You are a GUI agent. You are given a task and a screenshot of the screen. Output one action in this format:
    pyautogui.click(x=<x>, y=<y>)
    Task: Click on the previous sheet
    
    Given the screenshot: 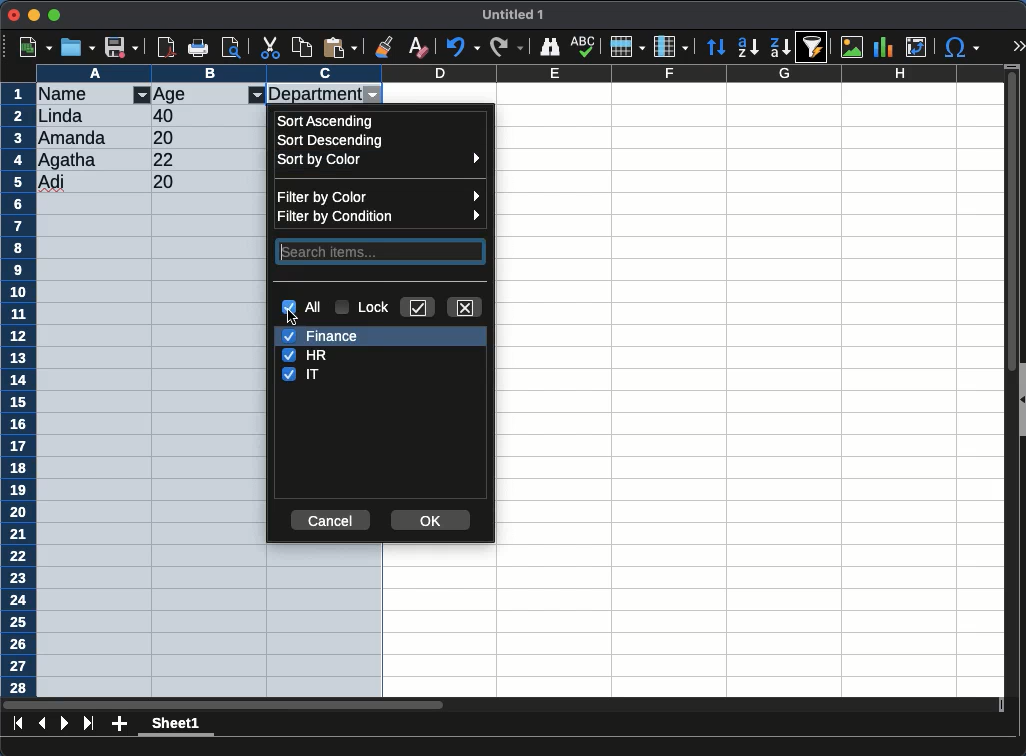 What is the action you would take?
    pyautogui.click(x=44, y=722)
    